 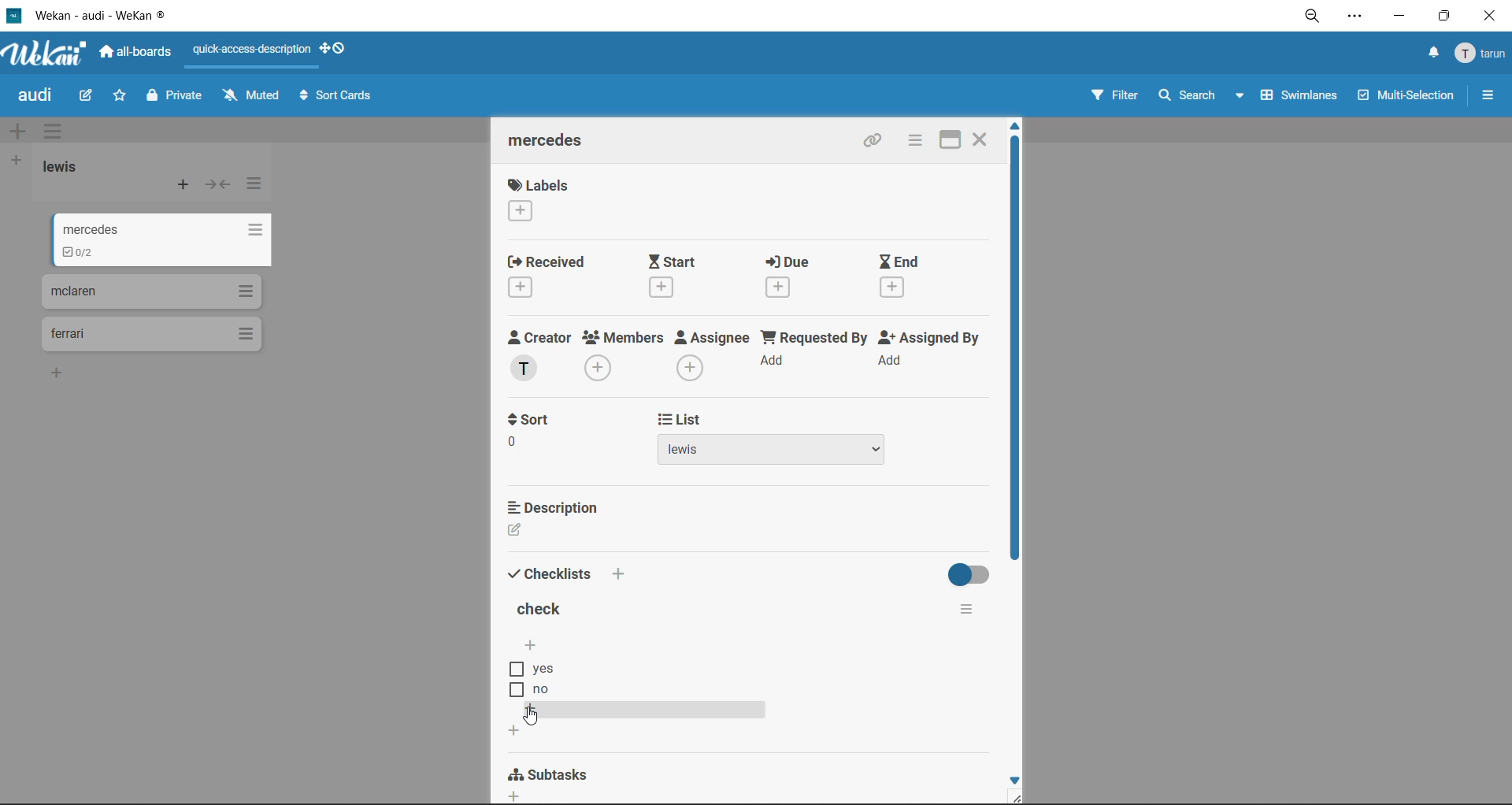 What do you see at coordinates (98, 17) in the screenshot?
I see `Wekan - audi - WeKan` at bounding box center [98, 17].